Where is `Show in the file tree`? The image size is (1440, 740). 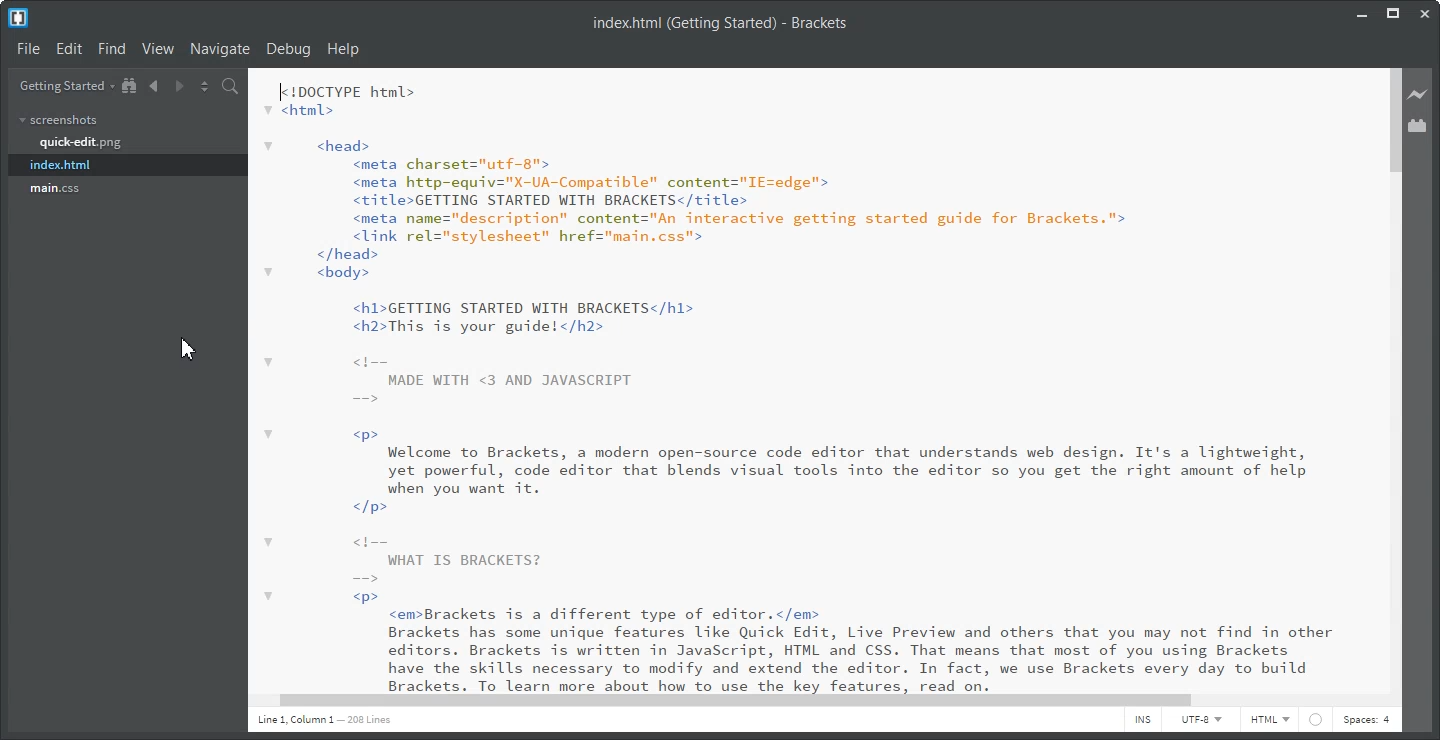 Show in the file tree is located at coordinates (130, 85).